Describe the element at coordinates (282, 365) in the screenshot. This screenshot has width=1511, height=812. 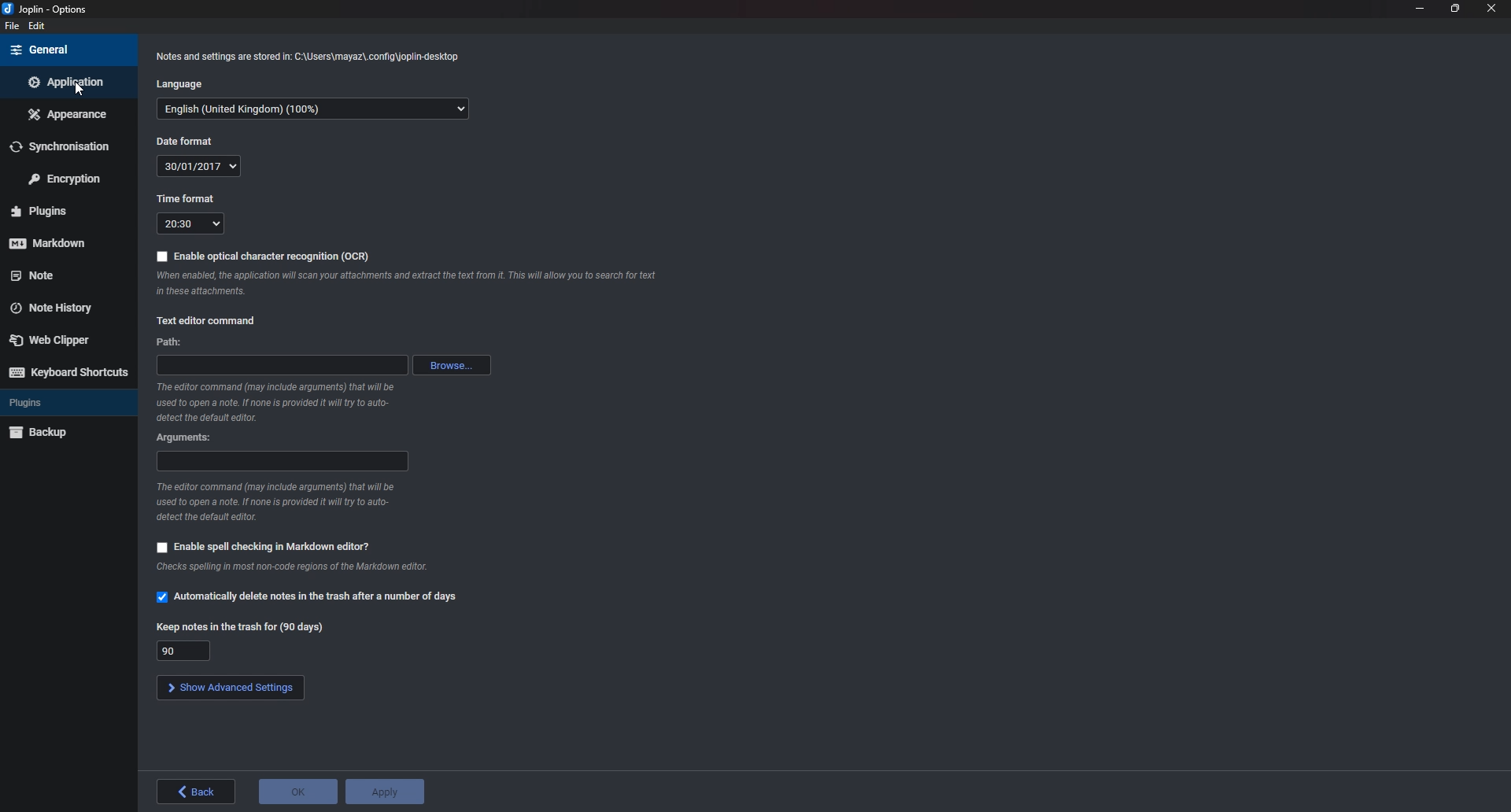
I see `path` at that location.